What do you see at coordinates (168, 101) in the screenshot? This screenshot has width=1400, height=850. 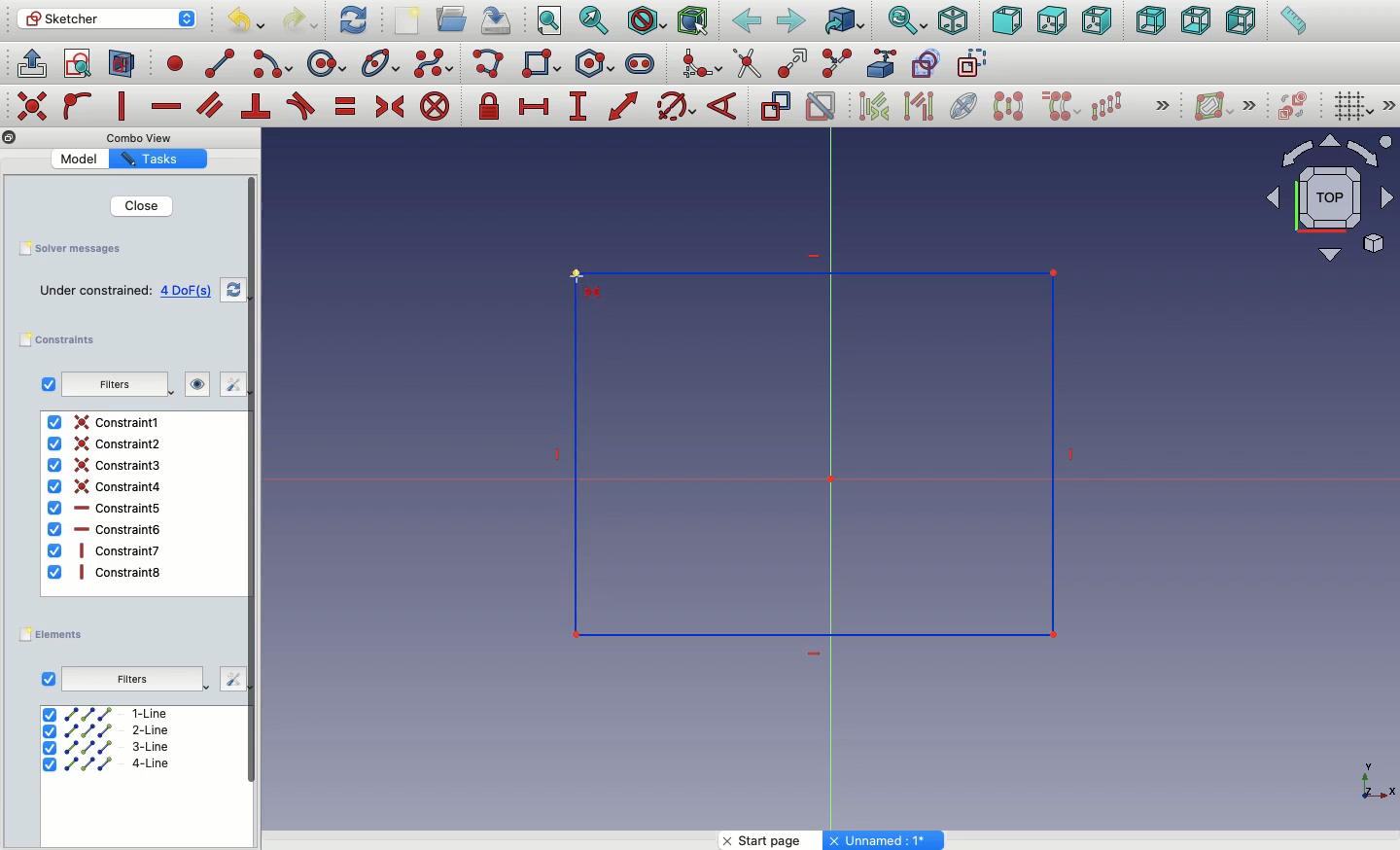 I see `constrain horizontally` at bounding box center [168, 101].